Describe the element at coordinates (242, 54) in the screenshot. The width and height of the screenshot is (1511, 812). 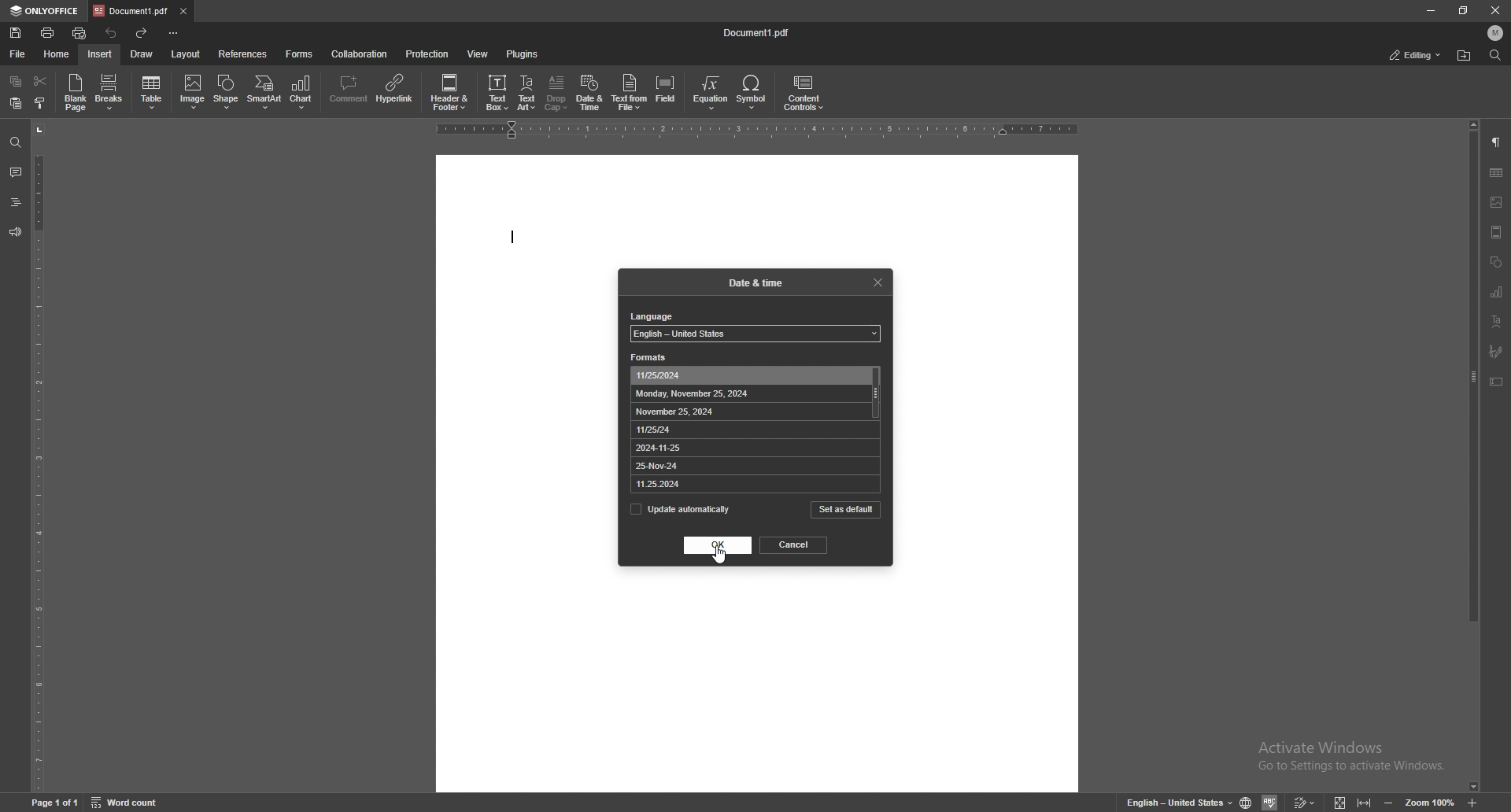
I see `references` at that location.